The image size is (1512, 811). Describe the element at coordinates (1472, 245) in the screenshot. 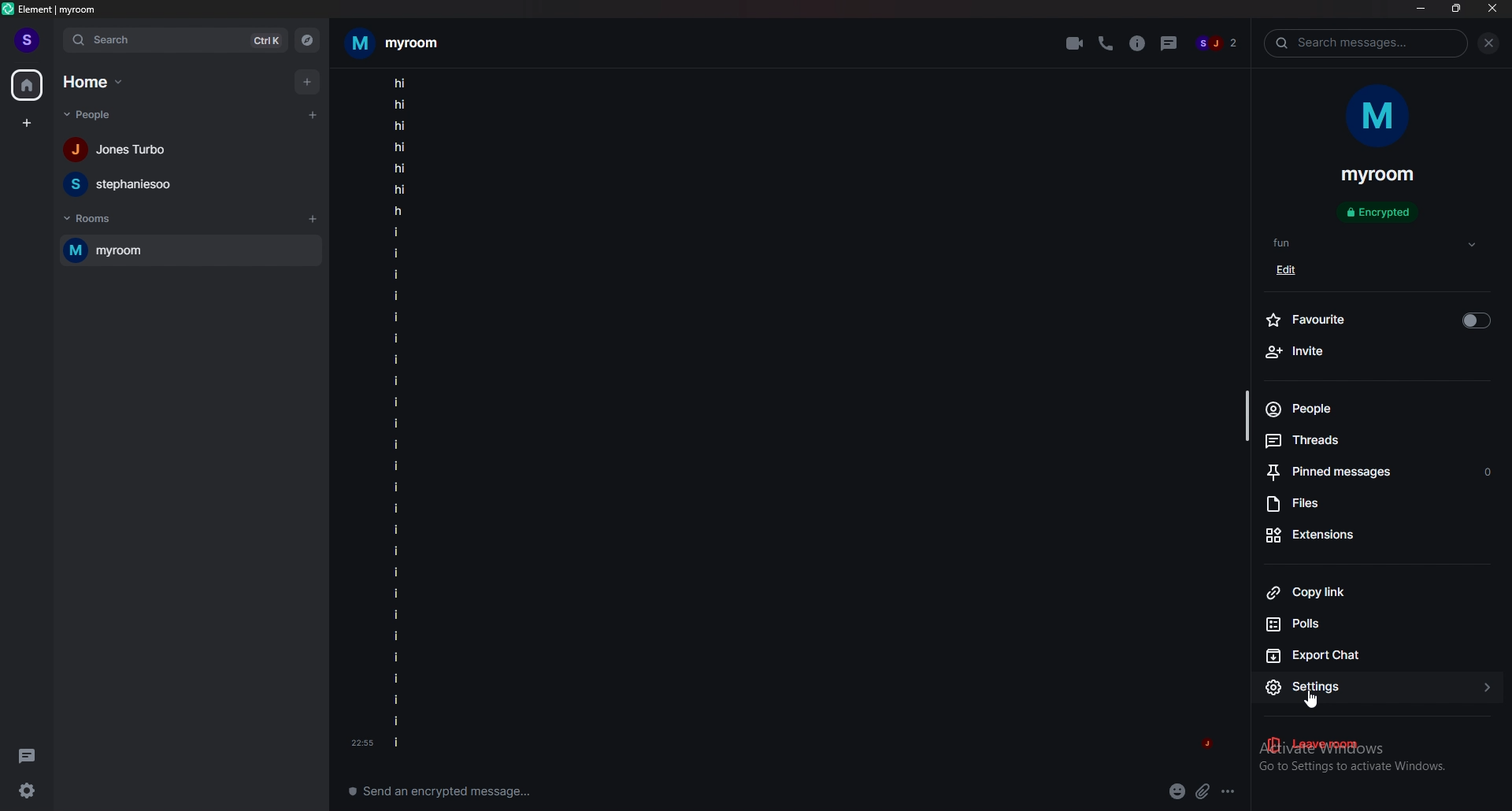

I see `show` at that location.